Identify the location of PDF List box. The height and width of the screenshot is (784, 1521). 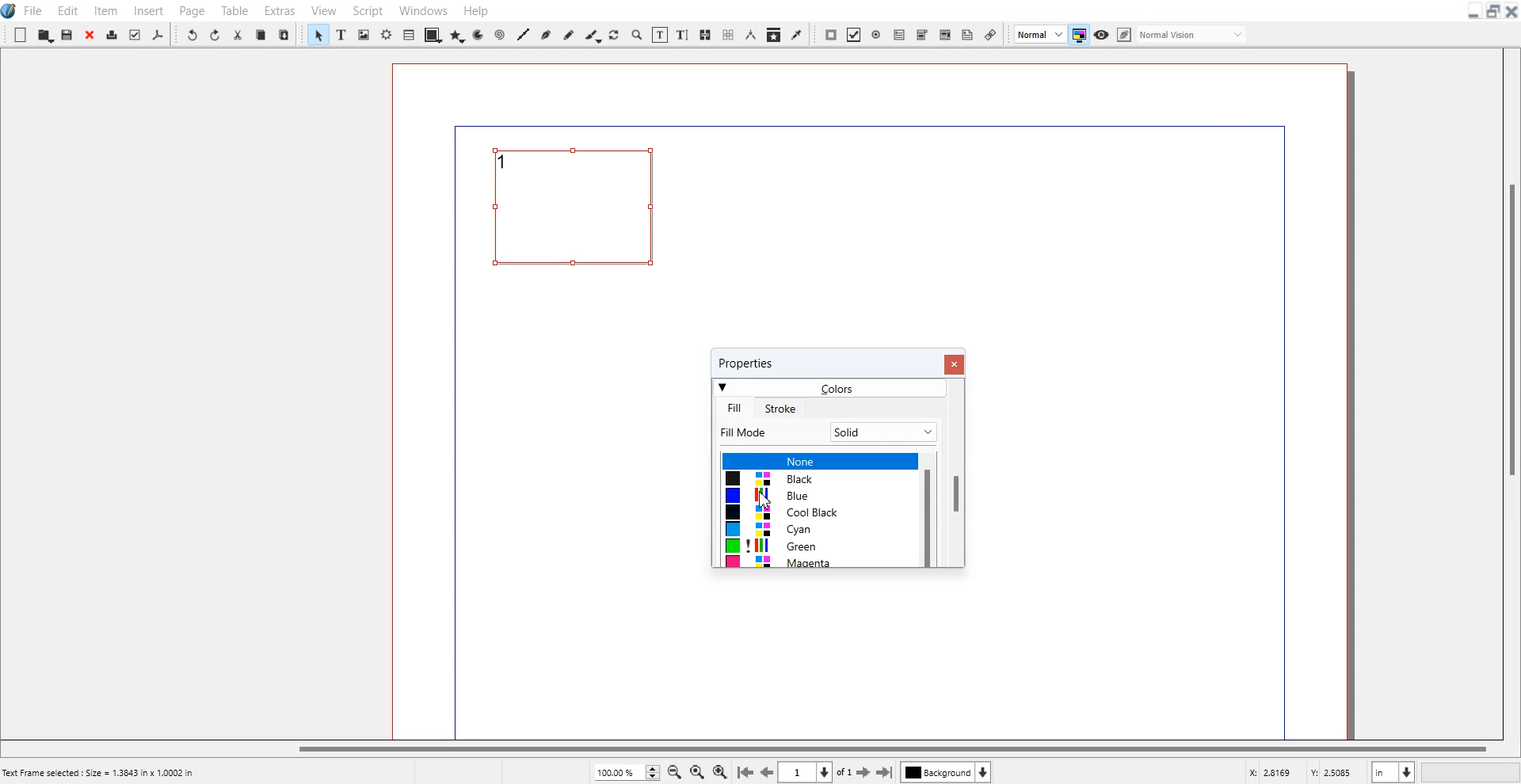
(945, 34).